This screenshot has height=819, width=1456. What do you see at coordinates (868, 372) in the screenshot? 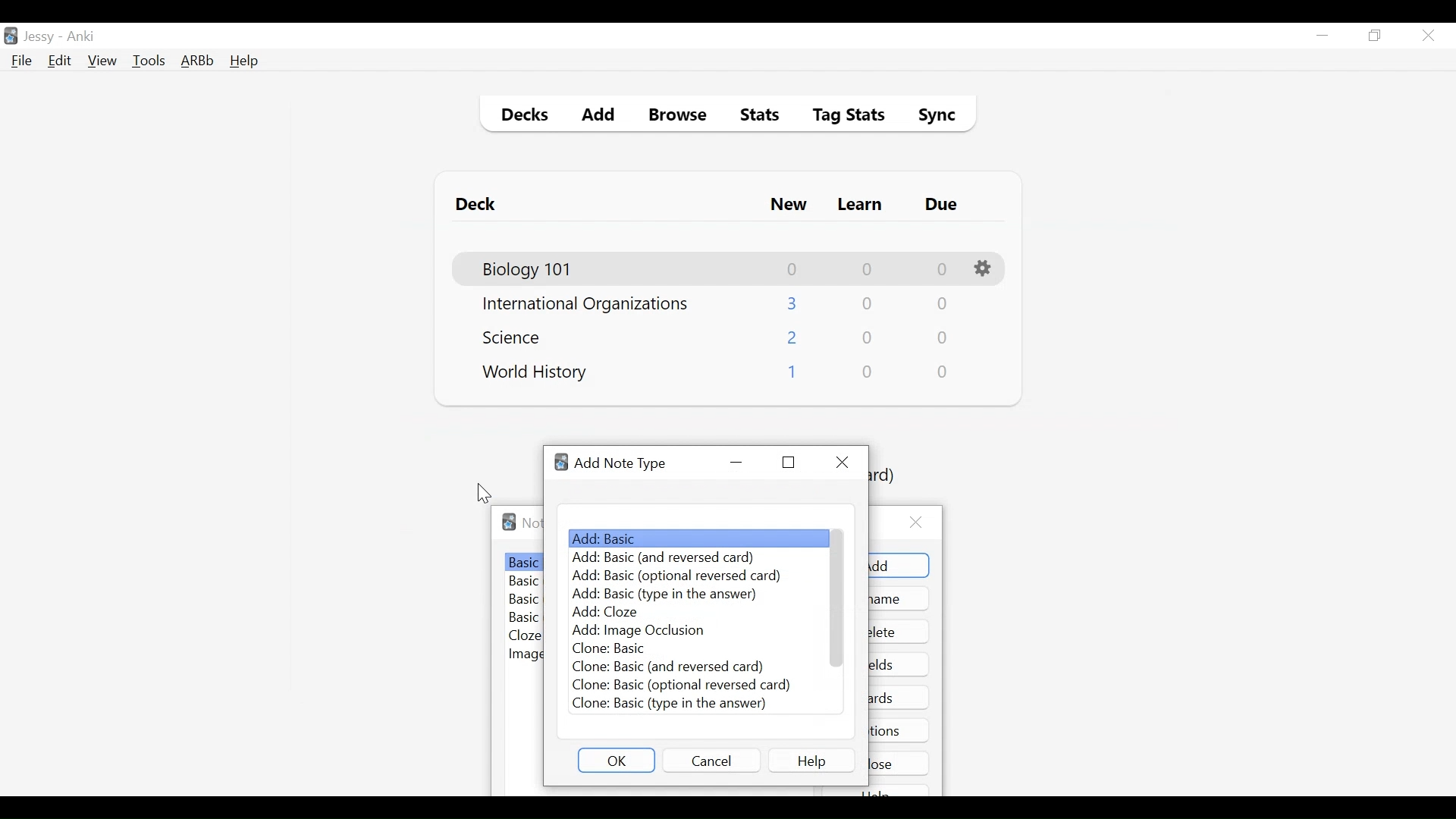
I see `` at bounding box center [868, 372].